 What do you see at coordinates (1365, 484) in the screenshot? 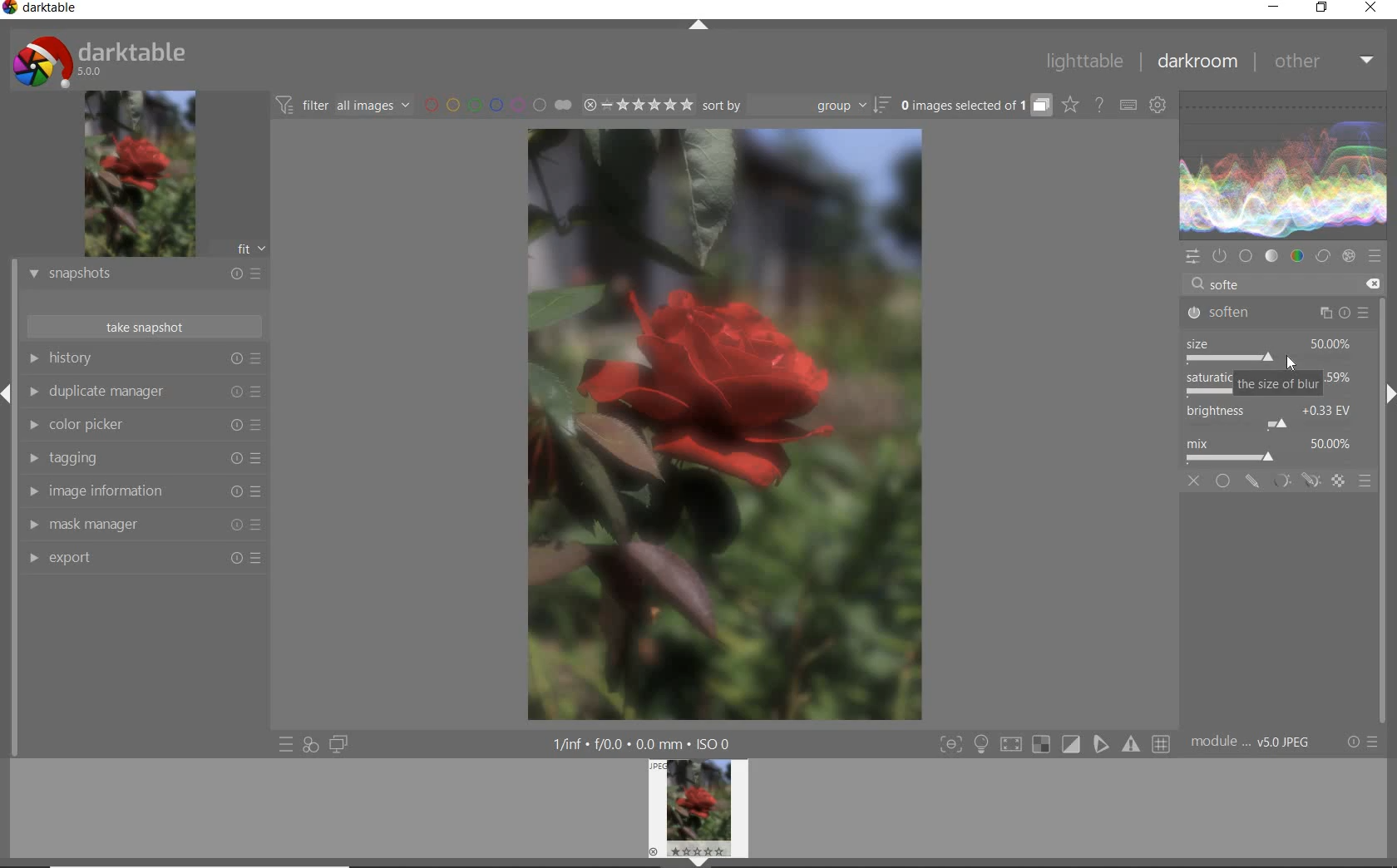
I see `blending options` at bounding box center [1365, 484].